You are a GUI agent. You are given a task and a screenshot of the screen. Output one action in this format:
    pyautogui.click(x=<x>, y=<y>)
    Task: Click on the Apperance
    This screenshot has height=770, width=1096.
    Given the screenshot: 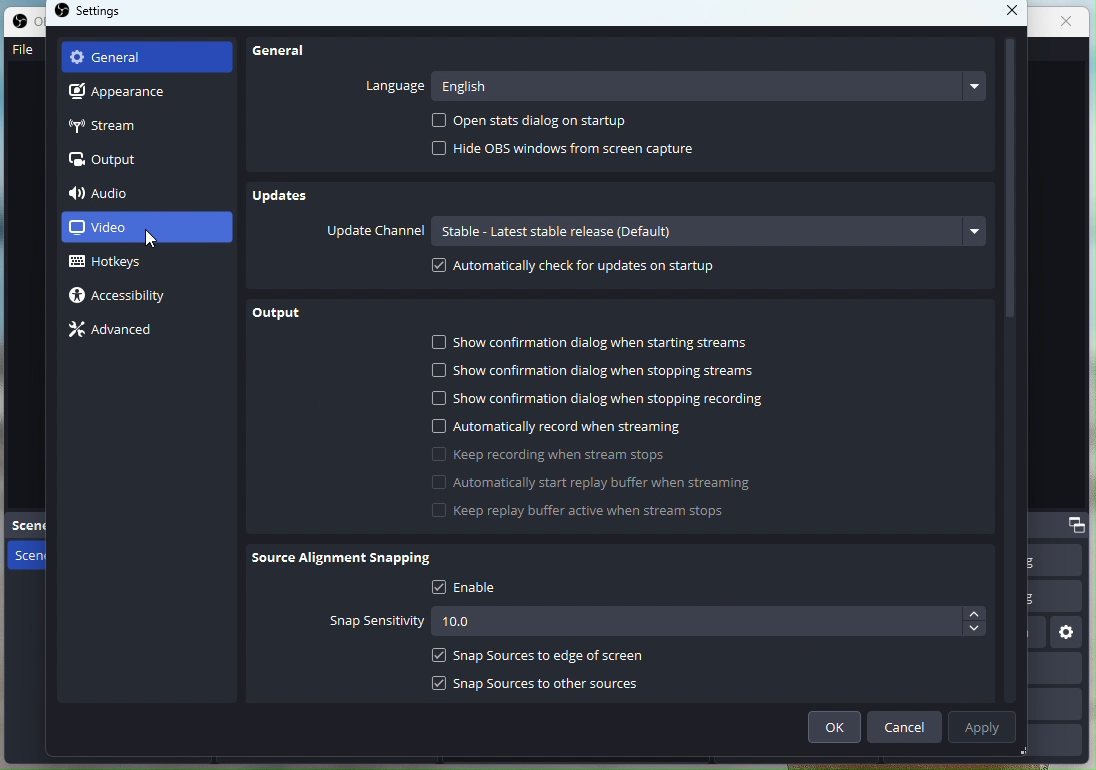 What is the action you would take?
    pyautogui.click(x=148, y=92)
    